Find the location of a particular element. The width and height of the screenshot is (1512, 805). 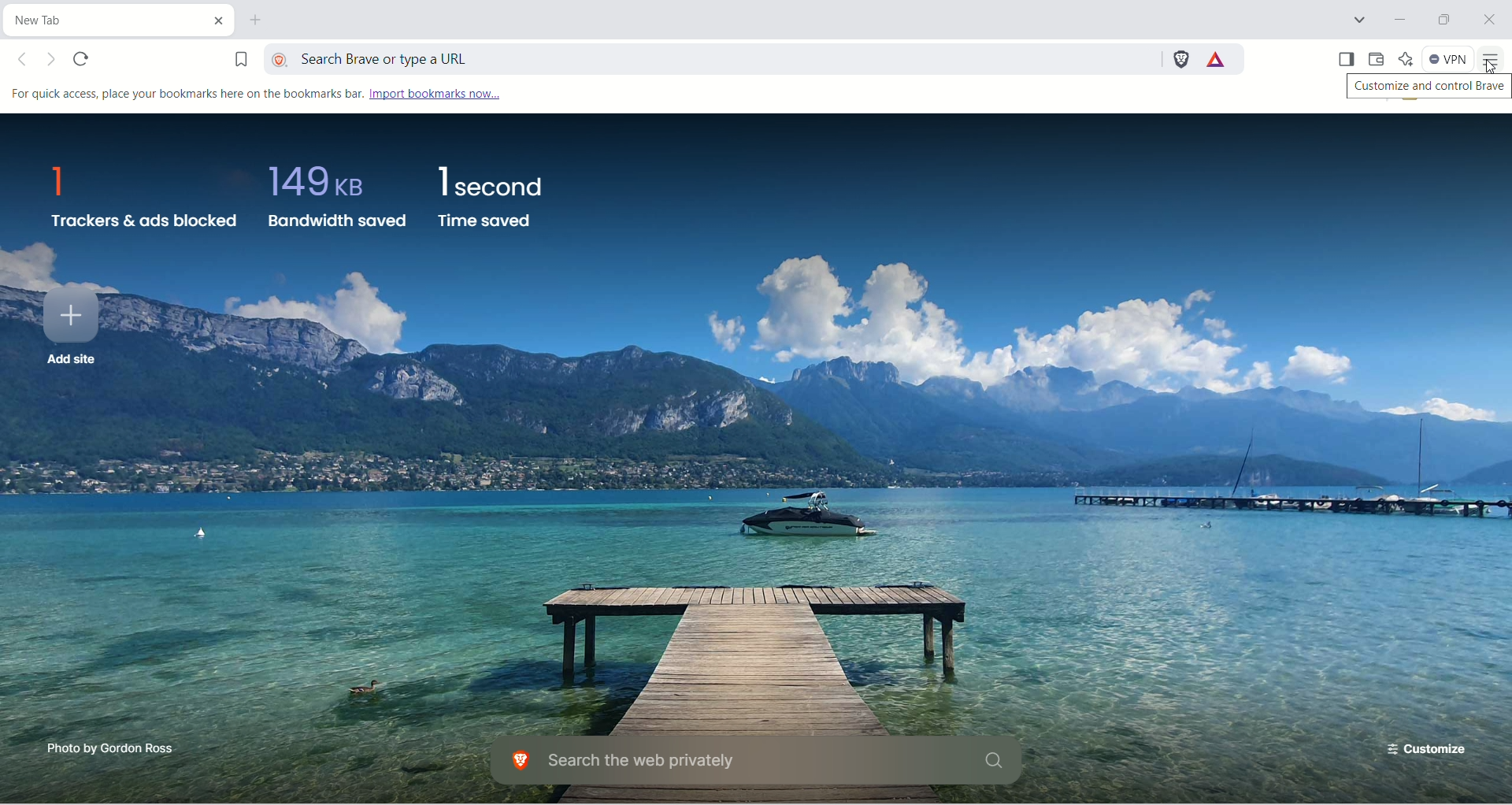

maximize is located at coordinates (1444, 18).